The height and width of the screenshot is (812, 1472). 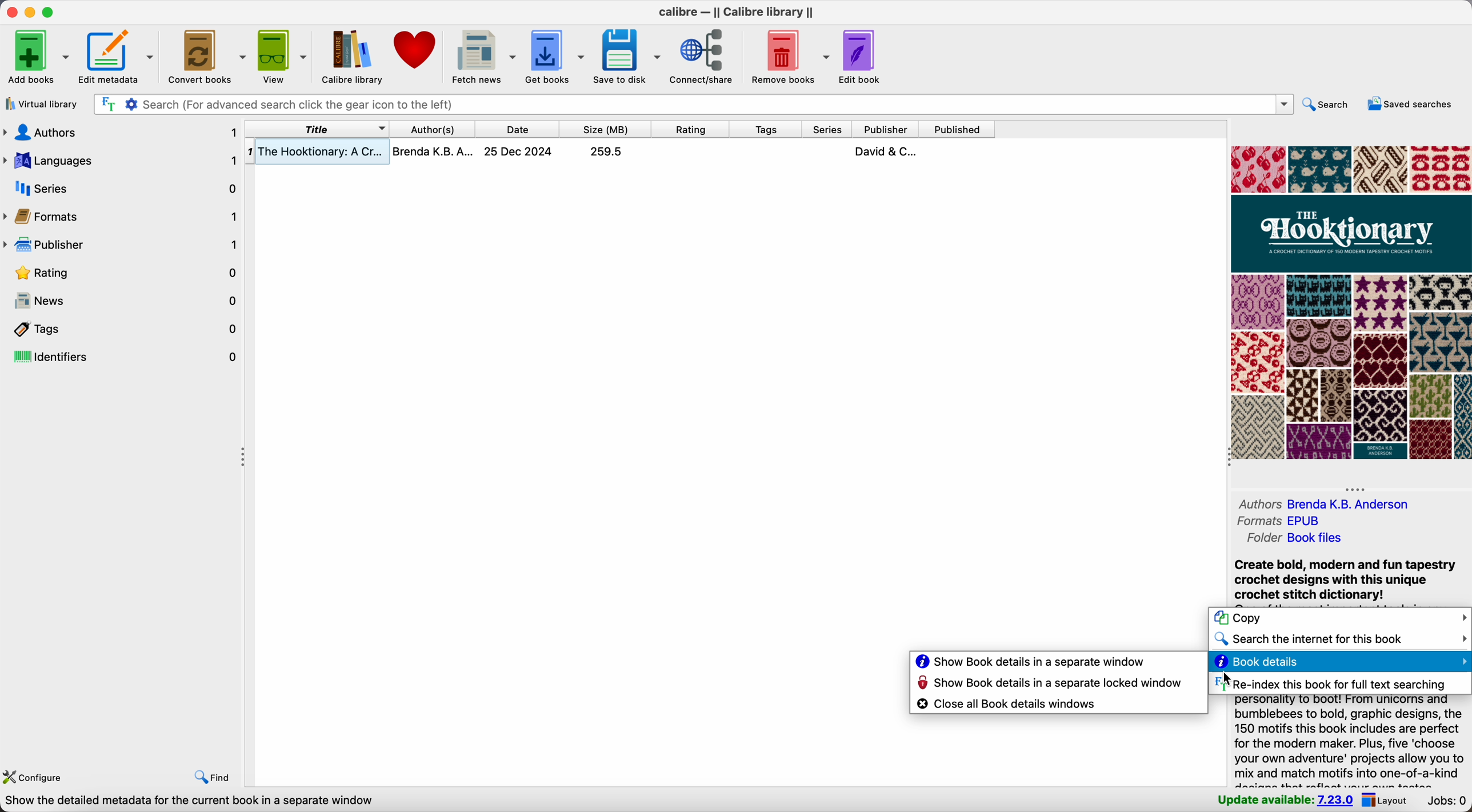 What do you see at coordinates (1350, 303) in the screenshot?
I see `book cover preview` at bounding box center [1350, 303].